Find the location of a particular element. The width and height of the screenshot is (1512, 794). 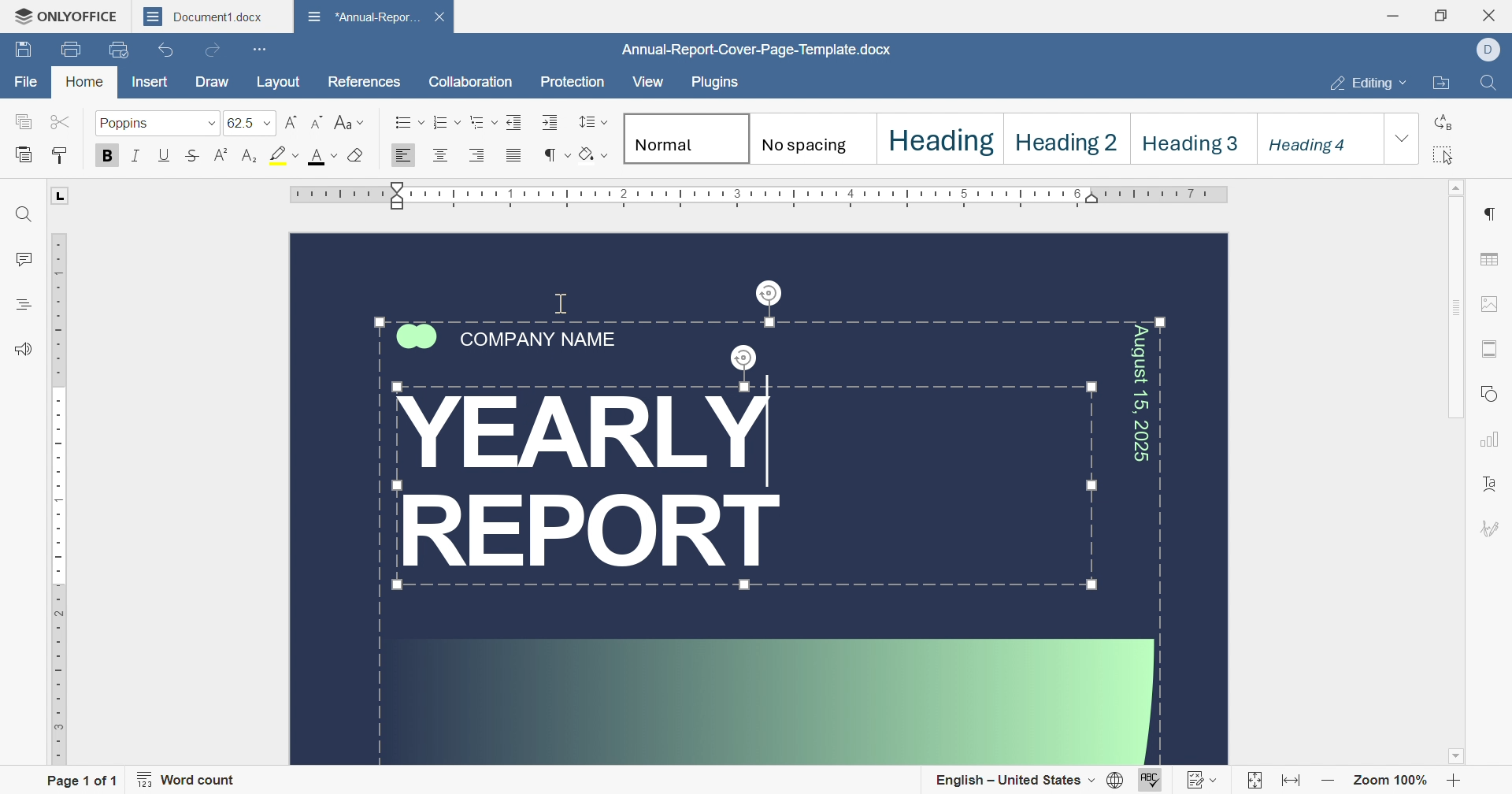

L is located at coordinates (60, 198).